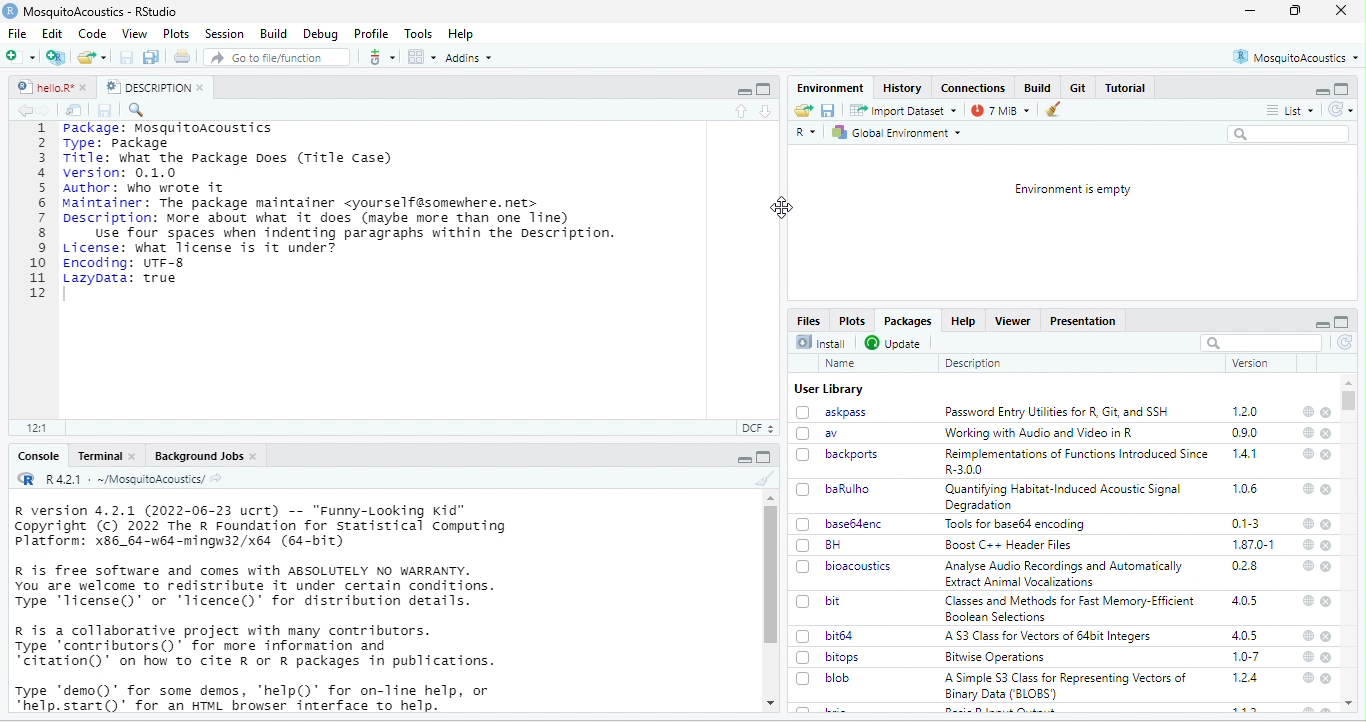 This screenshot has height=722, width=1366. Describe the element at coordinates (107, 111) in the screenshot. I see `Save` at that location.